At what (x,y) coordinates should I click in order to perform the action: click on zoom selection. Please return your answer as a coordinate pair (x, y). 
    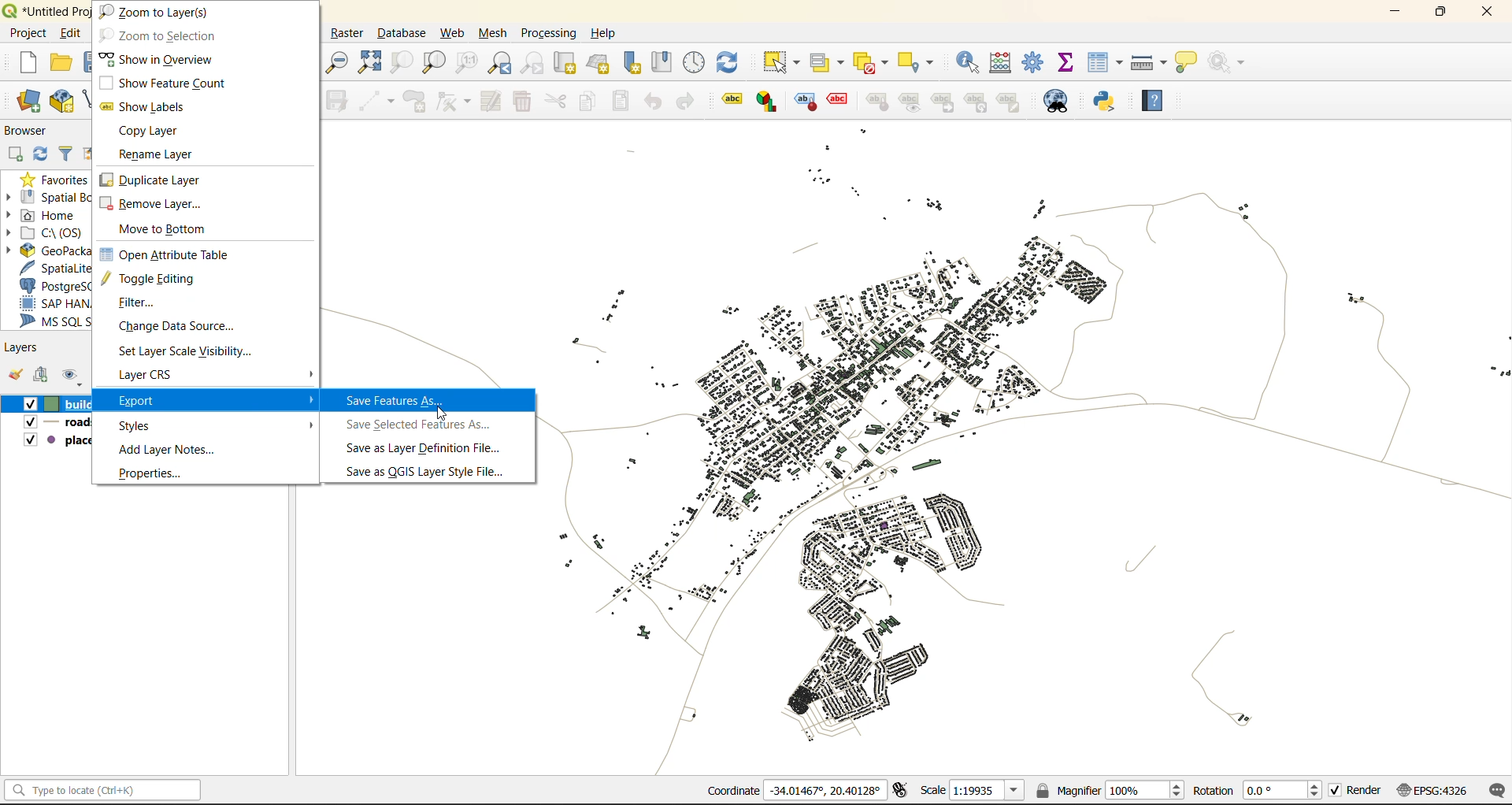
    Looking at the image, I should click on (398, 62).